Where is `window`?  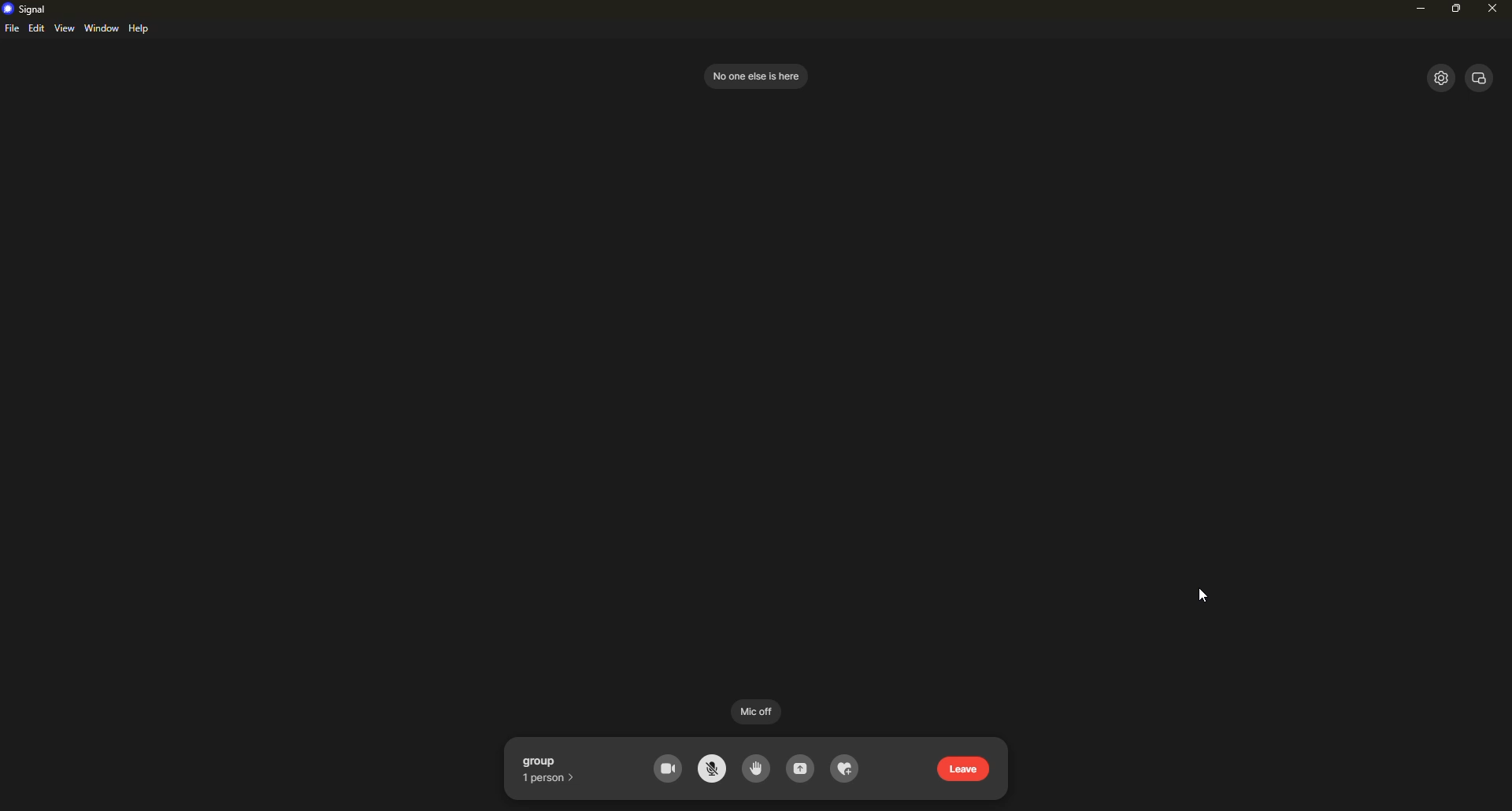
window is located at coordinates (102, 28).